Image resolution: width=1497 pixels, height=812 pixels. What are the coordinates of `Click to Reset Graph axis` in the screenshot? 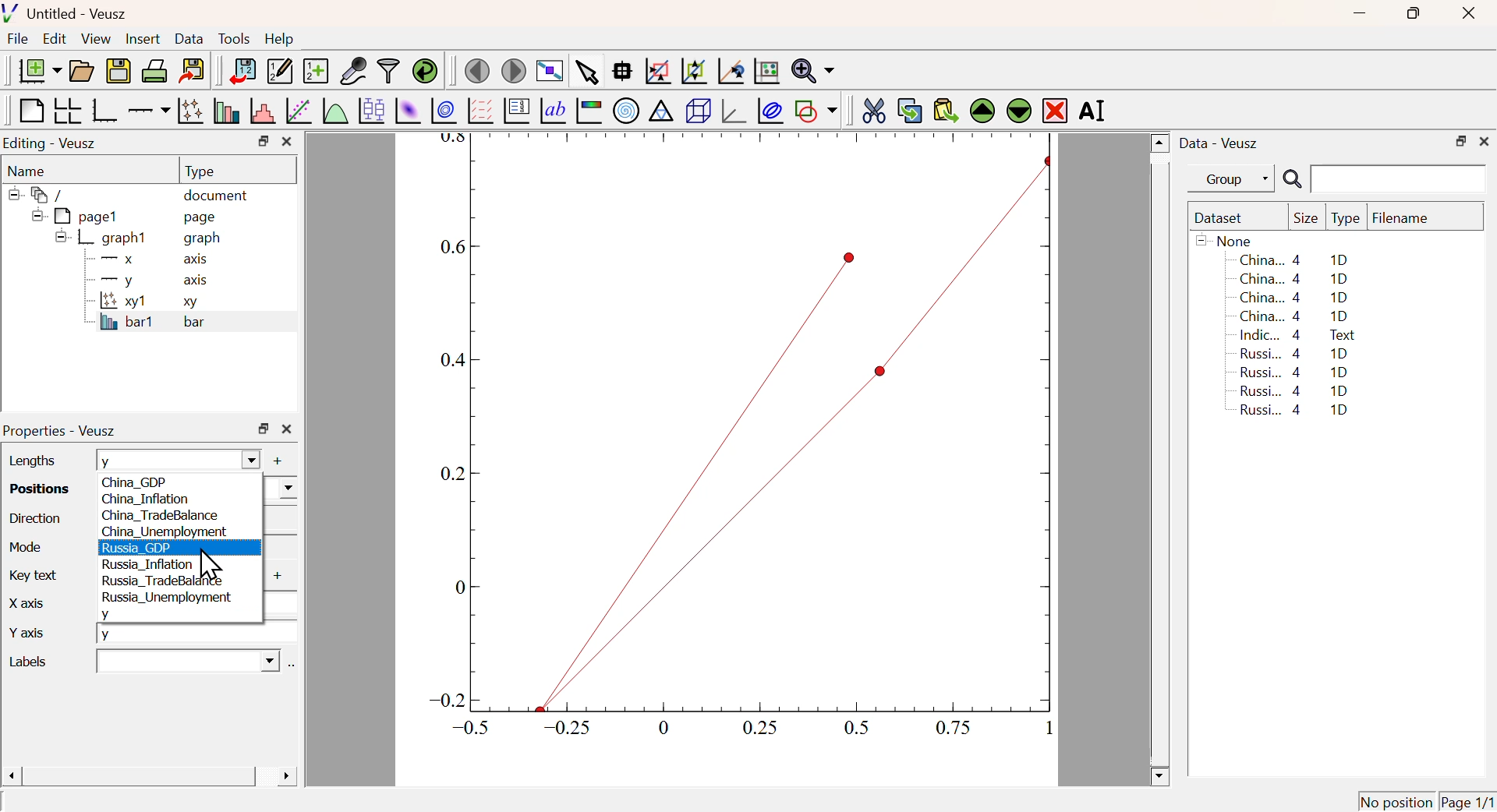 It's located at (766, 69).